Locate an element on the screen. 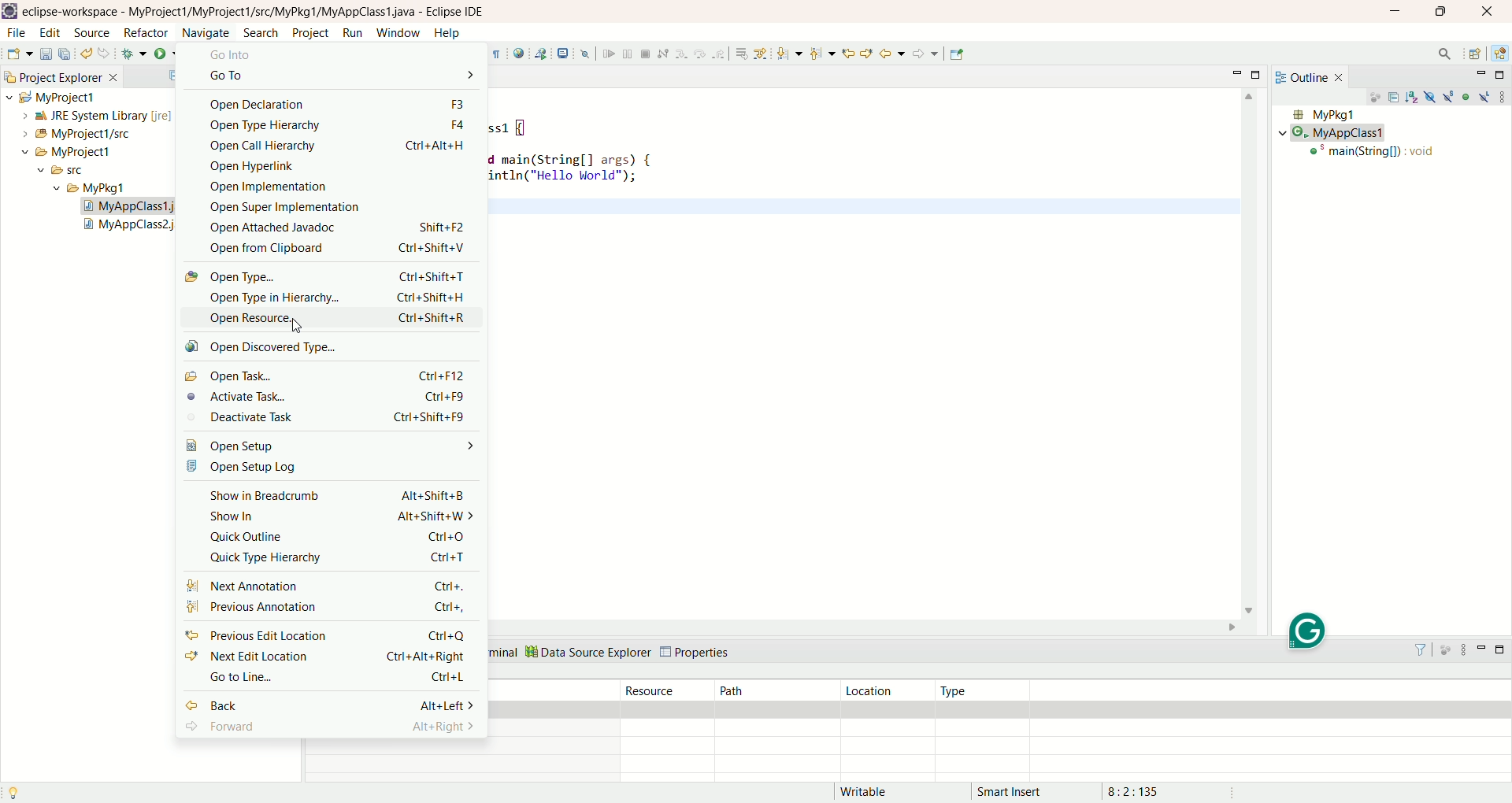 The width and height of the screenshot is (1512, 803). open type is located at coordinates (326, 276).